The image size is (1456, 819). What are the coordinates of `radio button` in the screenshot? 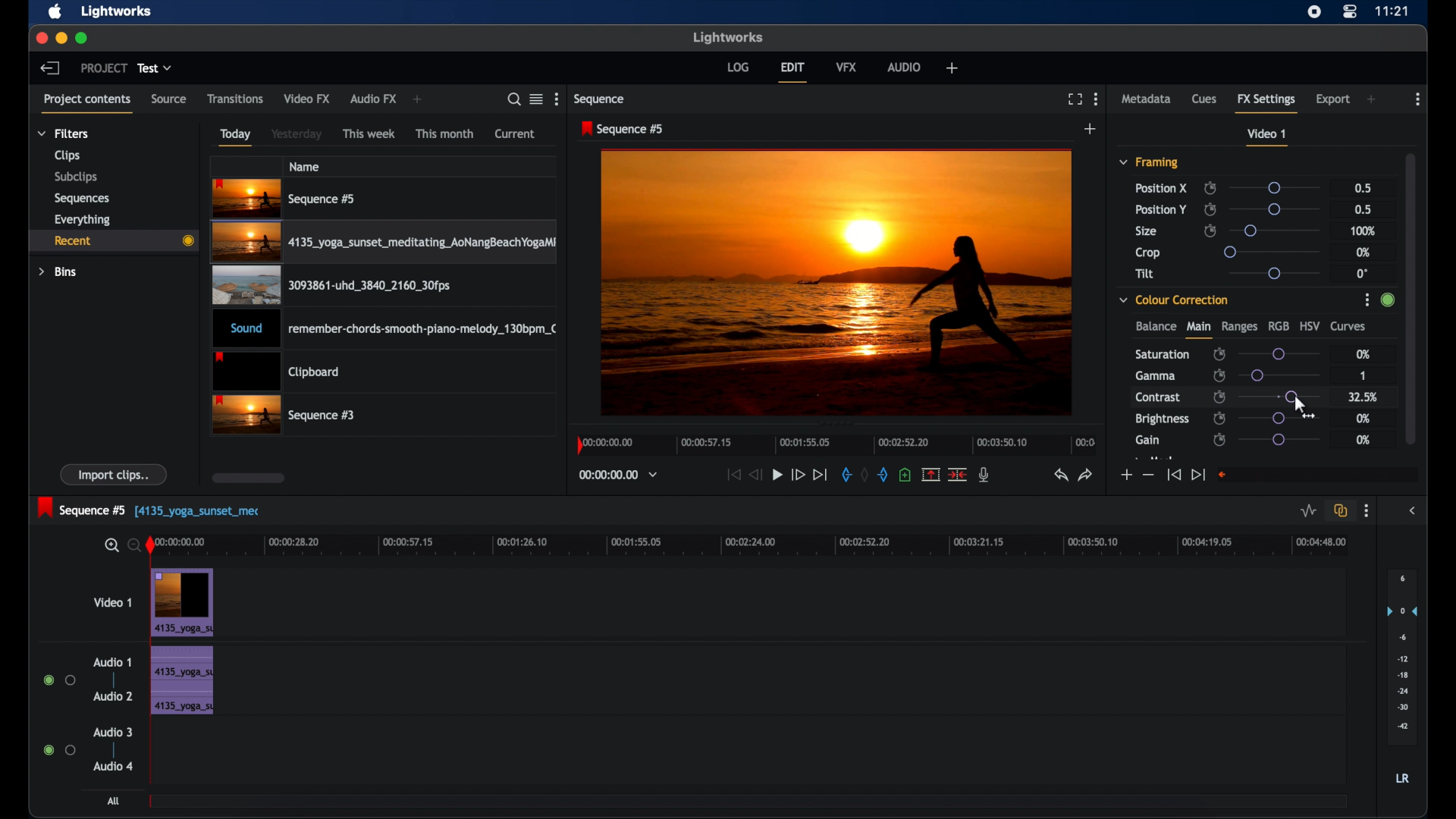 It's located at (59, 680).